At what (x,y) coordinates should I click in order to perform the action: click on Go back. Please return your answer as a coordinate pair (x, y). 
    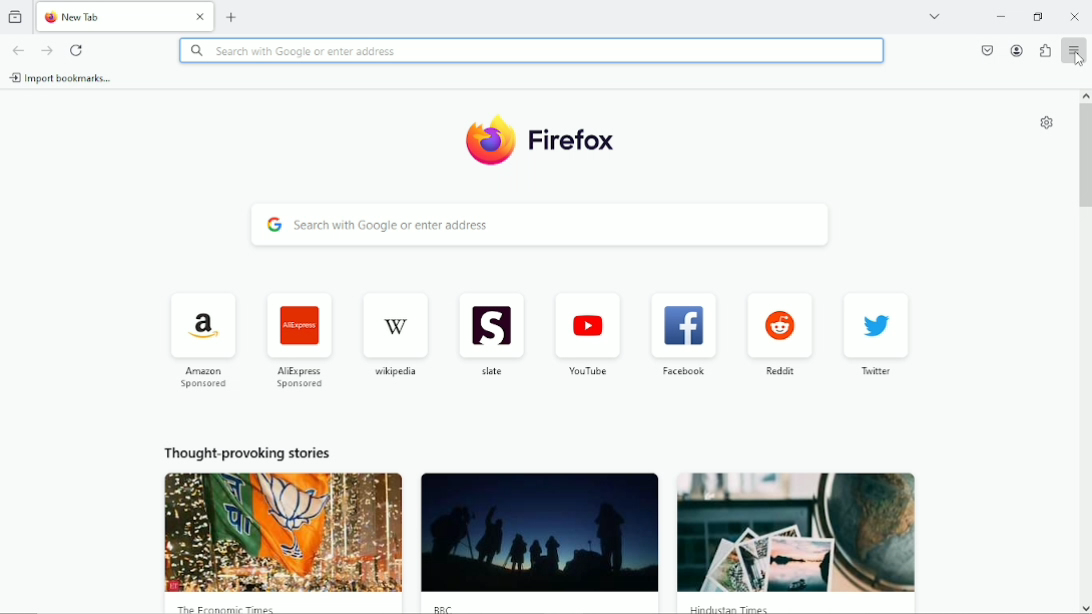
    Looking at the image, I should click on (18, 49).